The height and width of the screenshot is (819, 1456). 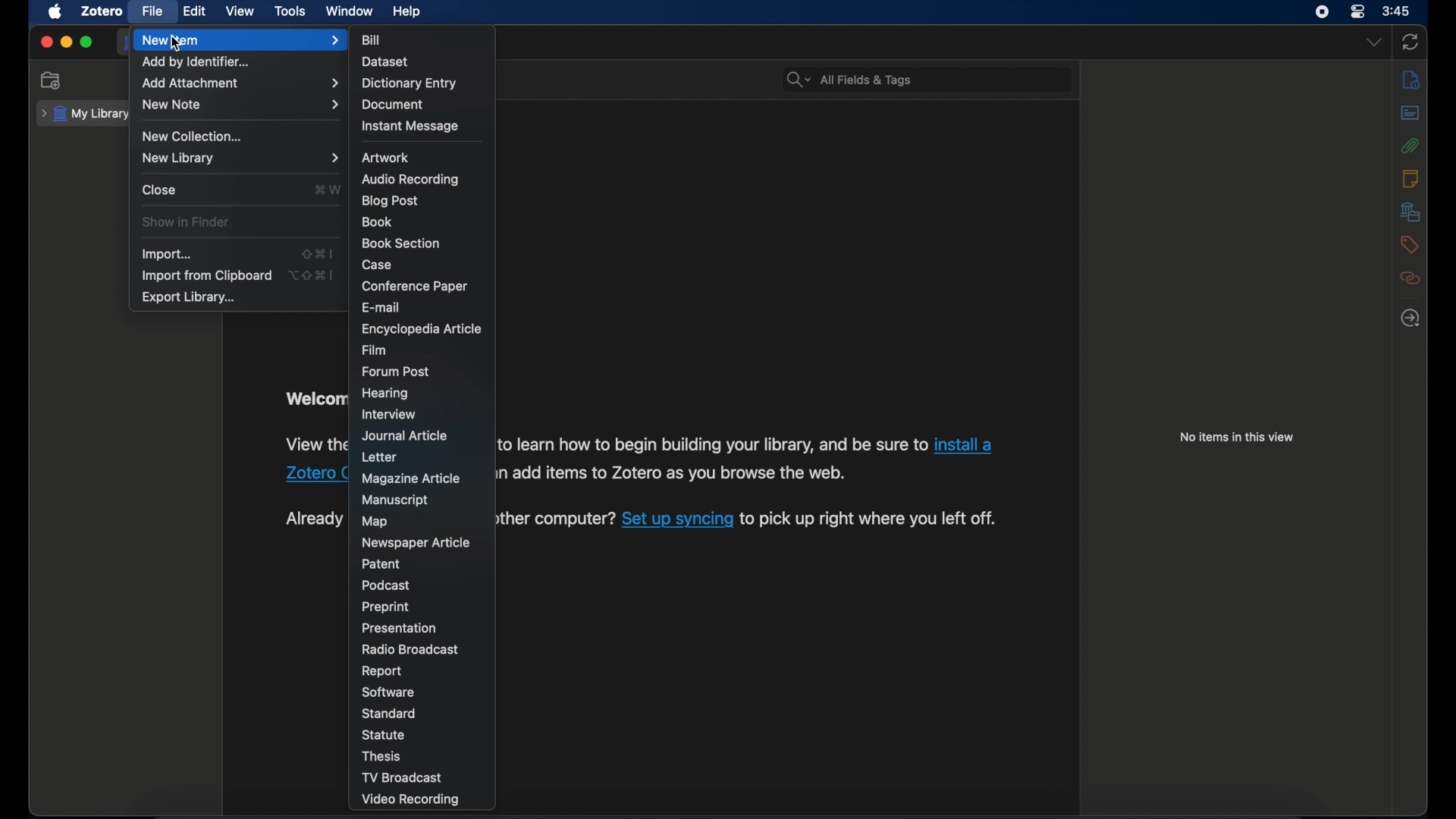 I want to click on manuscript, so click(x=397, y=499).